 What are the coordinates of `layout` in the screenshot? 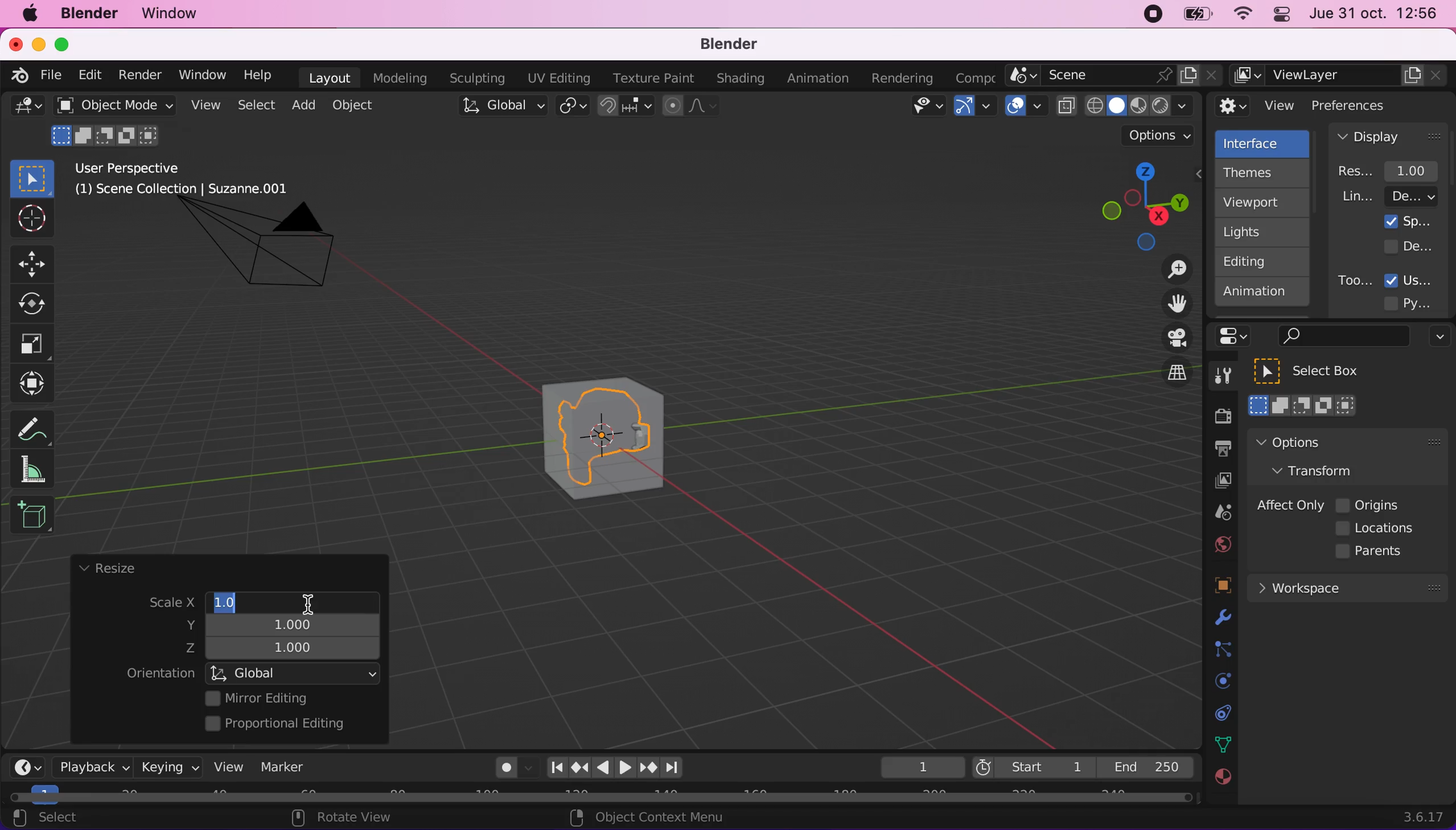 It's located at (329, 78).